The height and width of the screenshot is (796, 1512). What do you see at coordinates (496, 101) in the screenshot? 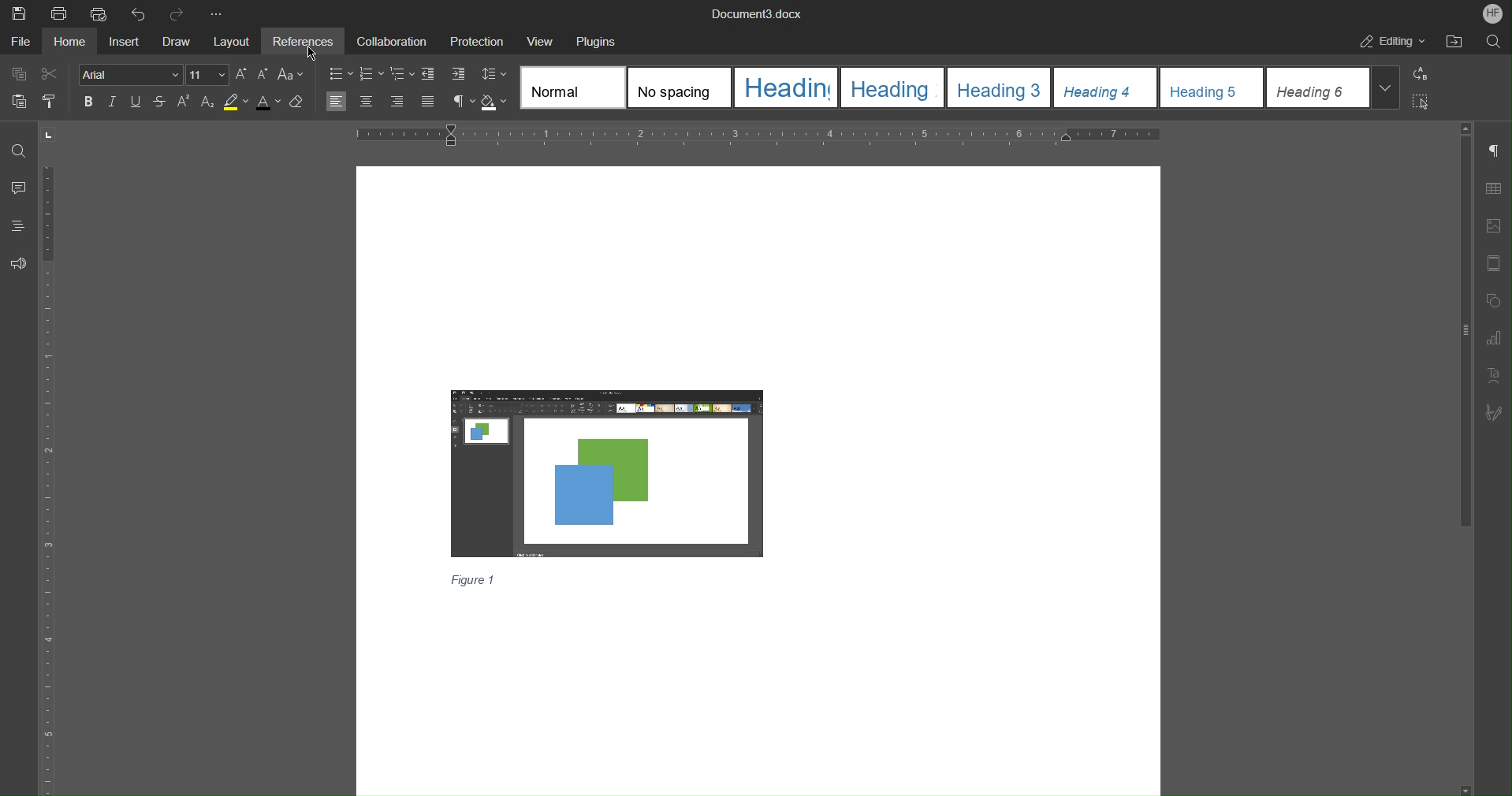
I see `Shadow` at bounding box center [496, 101].